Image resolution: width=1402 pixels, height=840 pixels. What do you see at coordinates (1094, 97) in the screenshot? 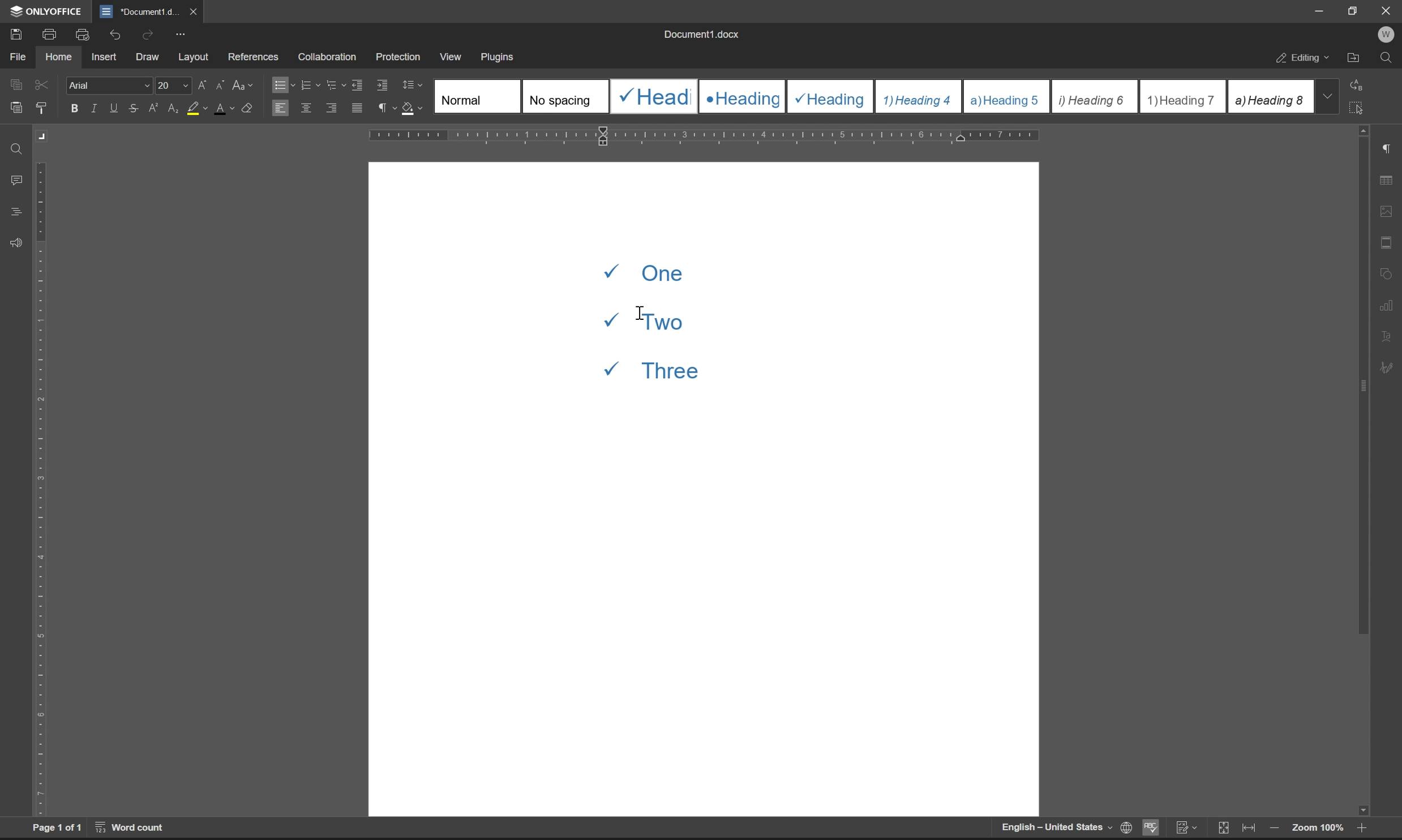
I see `Heading 6` at bounding box center [1094, 97].